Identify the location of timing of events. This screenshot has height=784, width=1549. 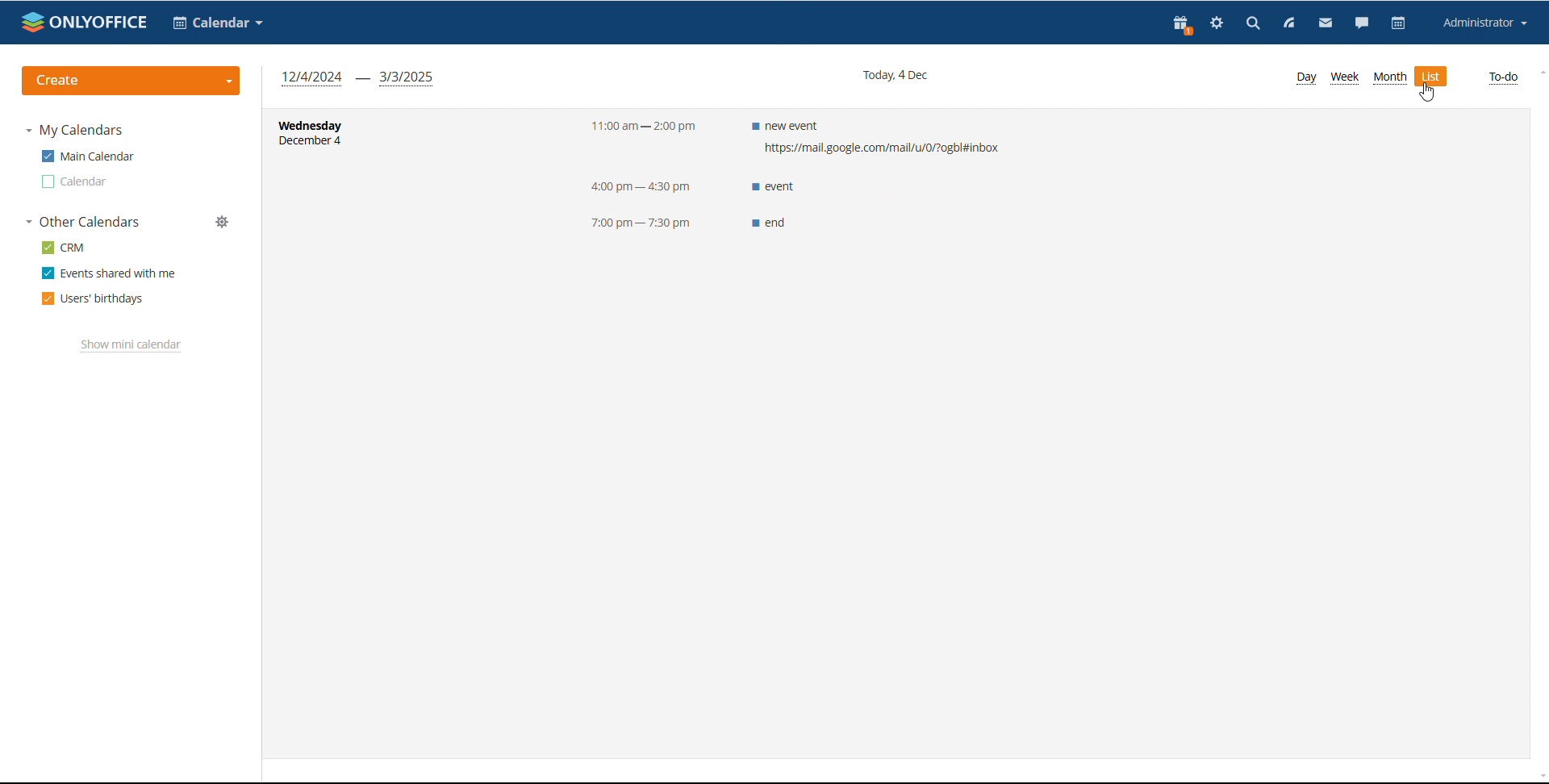
(639, 171).